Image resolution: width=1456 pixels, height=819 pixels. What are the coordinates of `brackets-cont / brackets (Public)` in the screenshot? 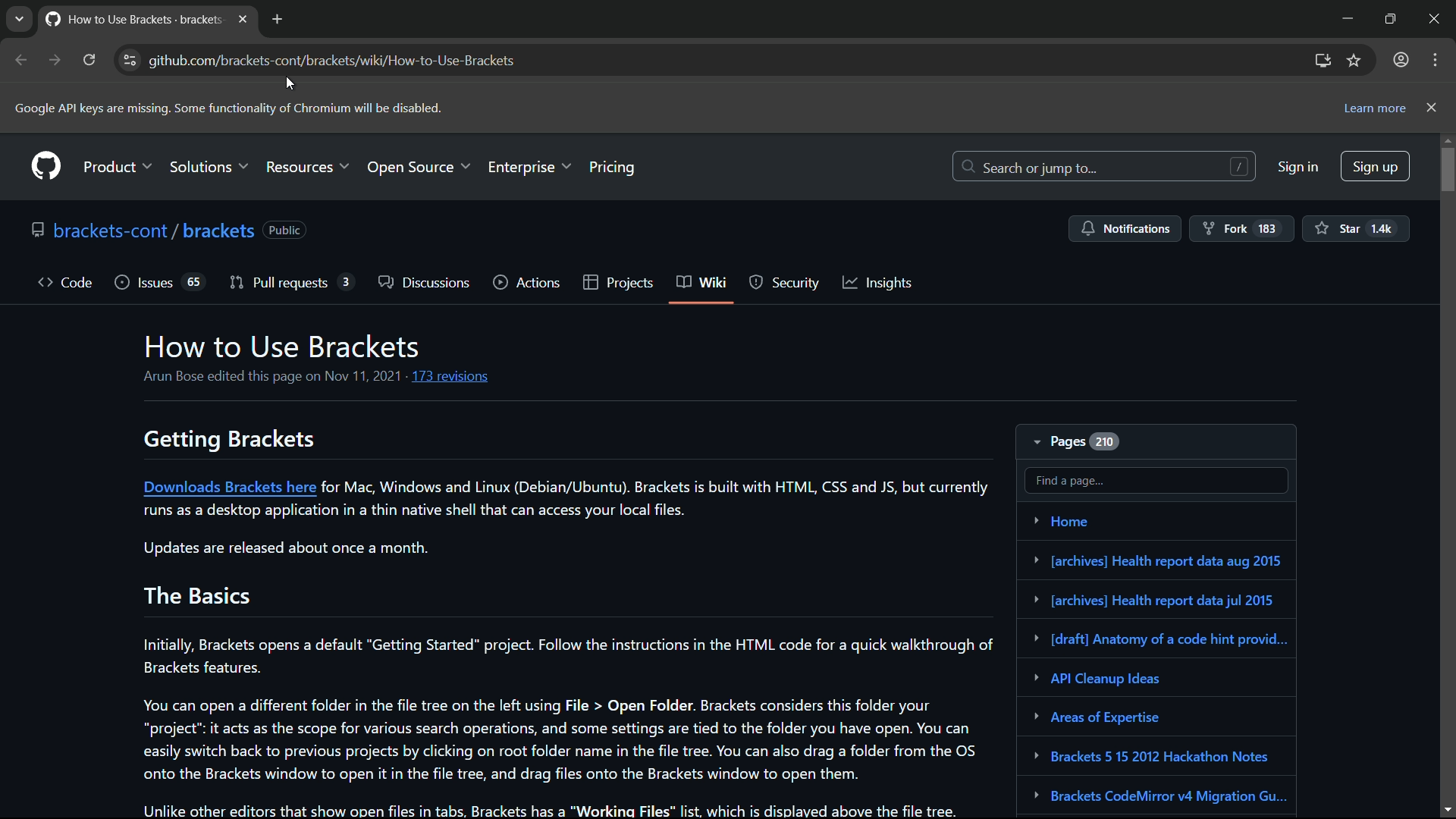 It's located at (175, 229).